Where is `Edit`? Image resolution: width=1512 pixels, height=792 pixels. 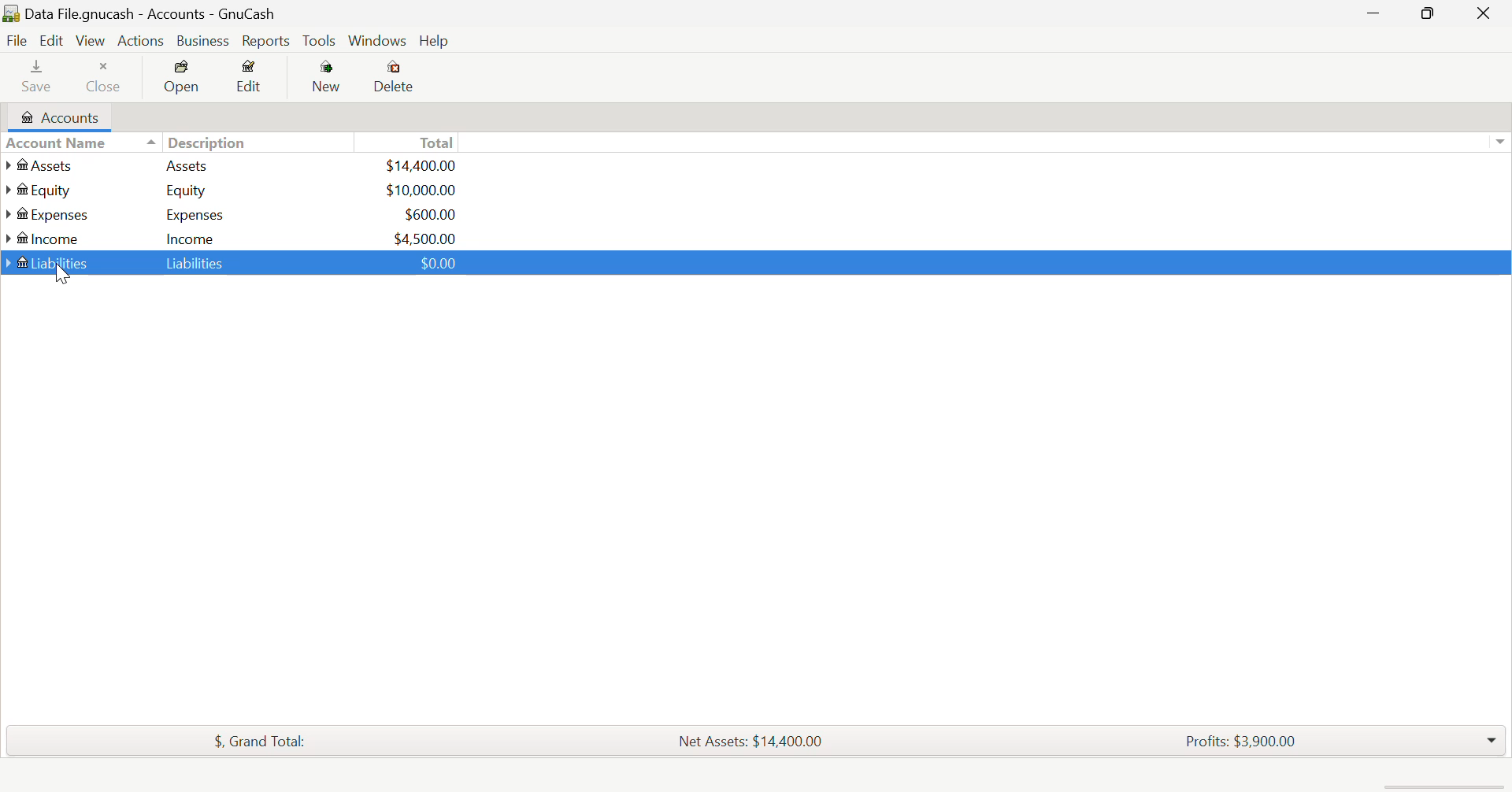
Edit is located at coordinates (50, 41).